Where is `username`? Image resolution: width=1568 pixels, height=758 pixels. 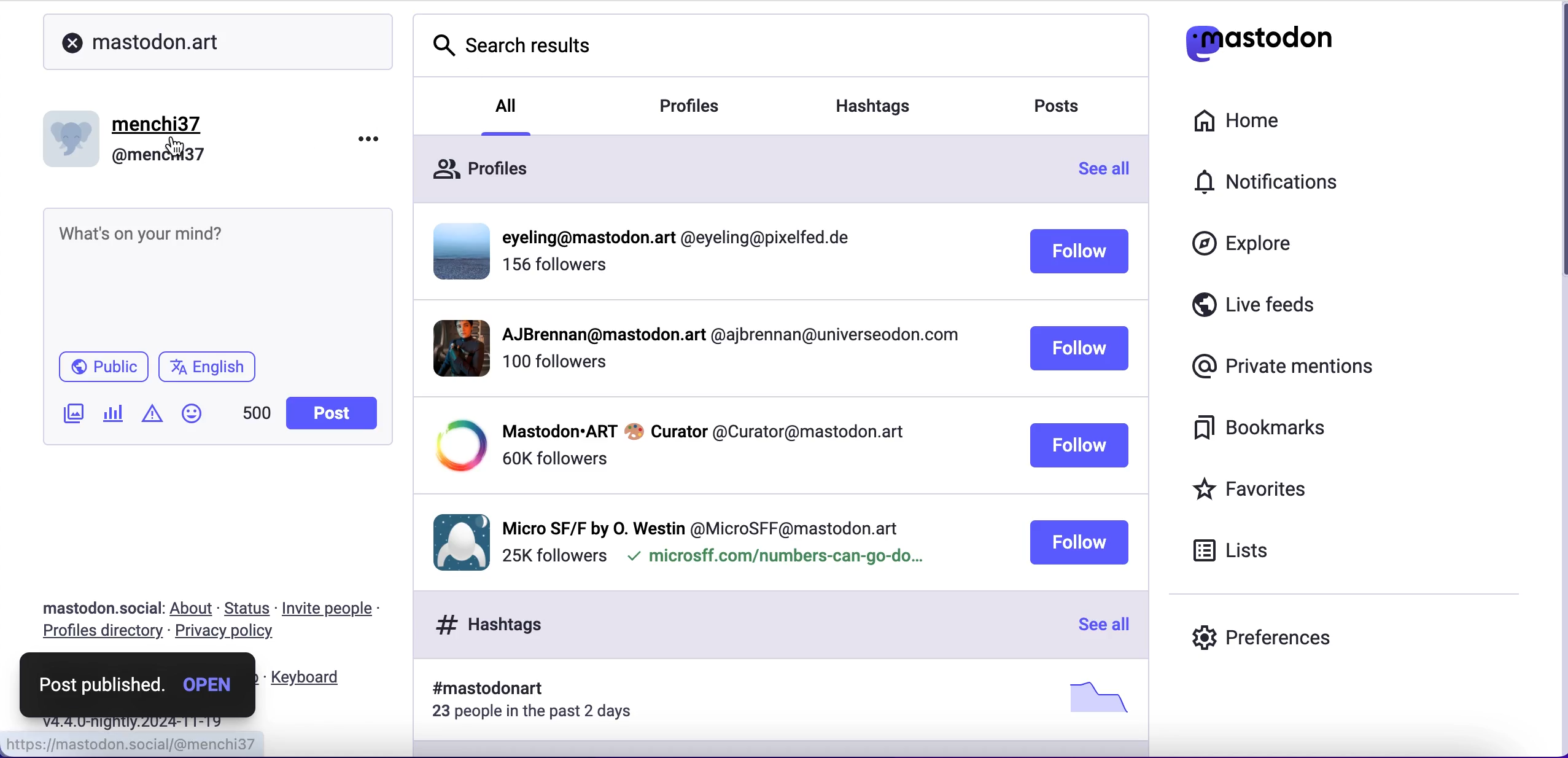
username is located at coordinates (753, 333).